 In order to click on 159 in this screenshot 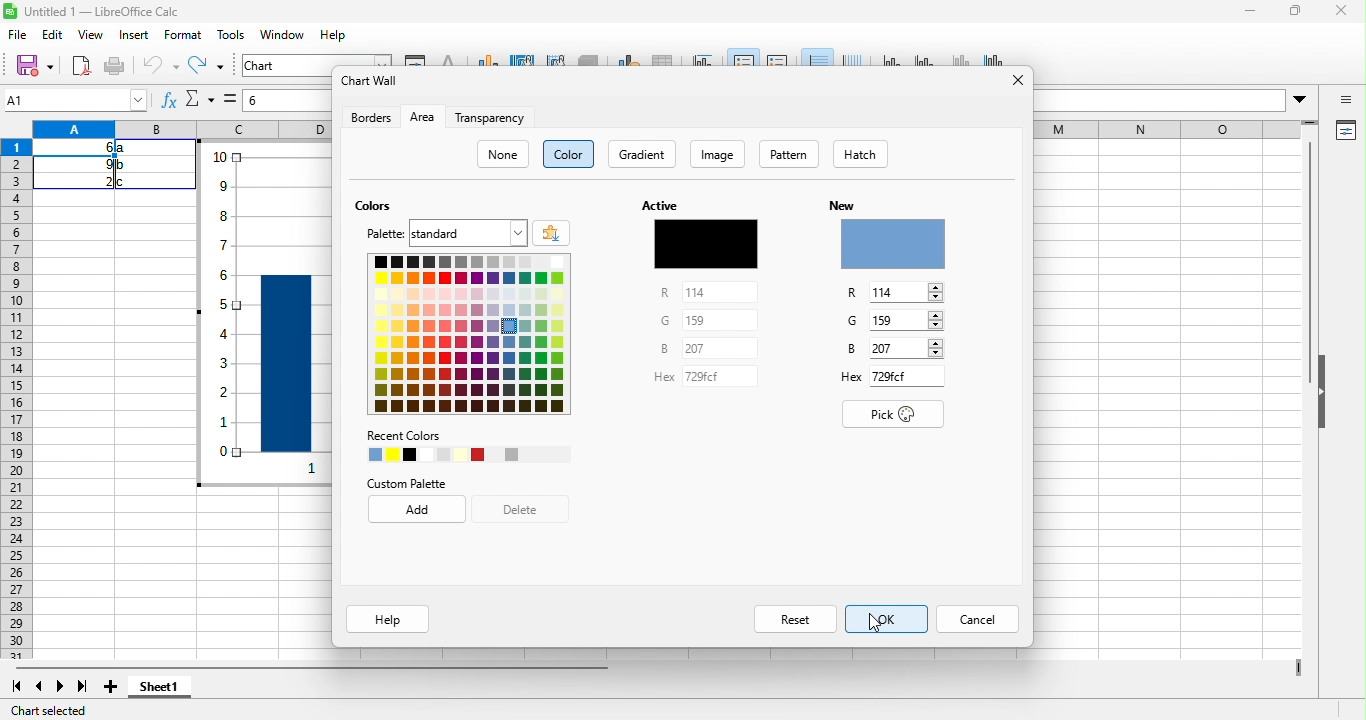, I will do `click(691, 320)`.